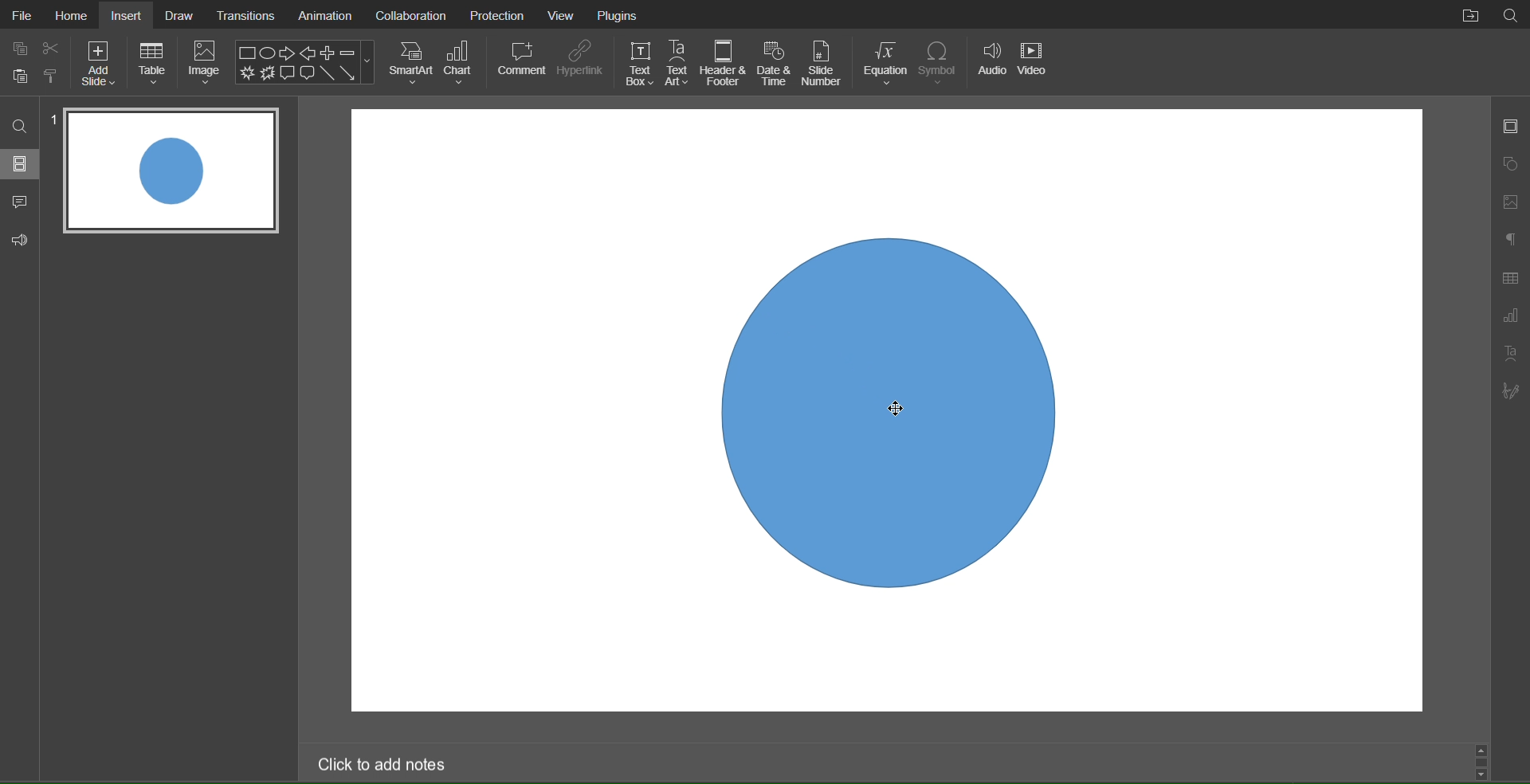 The image size is (1530, 784). What do you see at coordinates (1510, 318) in the screenshot?
I see `Graph Settings` at bounding box center [1510, 318].